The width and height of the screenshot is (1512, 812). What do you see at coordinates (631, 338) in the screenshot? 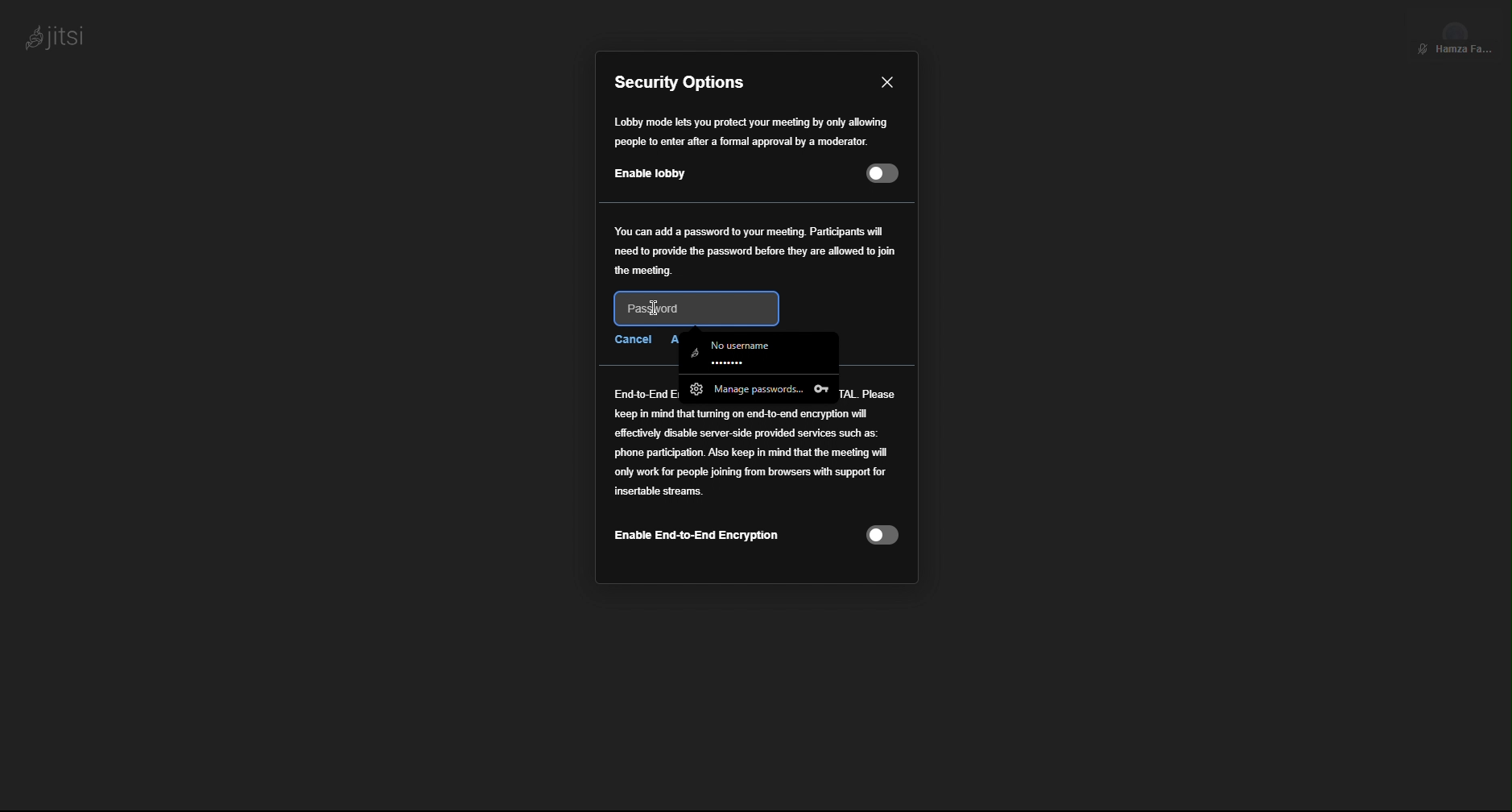
I see `Cancel ` at bounding box center [631, 338].